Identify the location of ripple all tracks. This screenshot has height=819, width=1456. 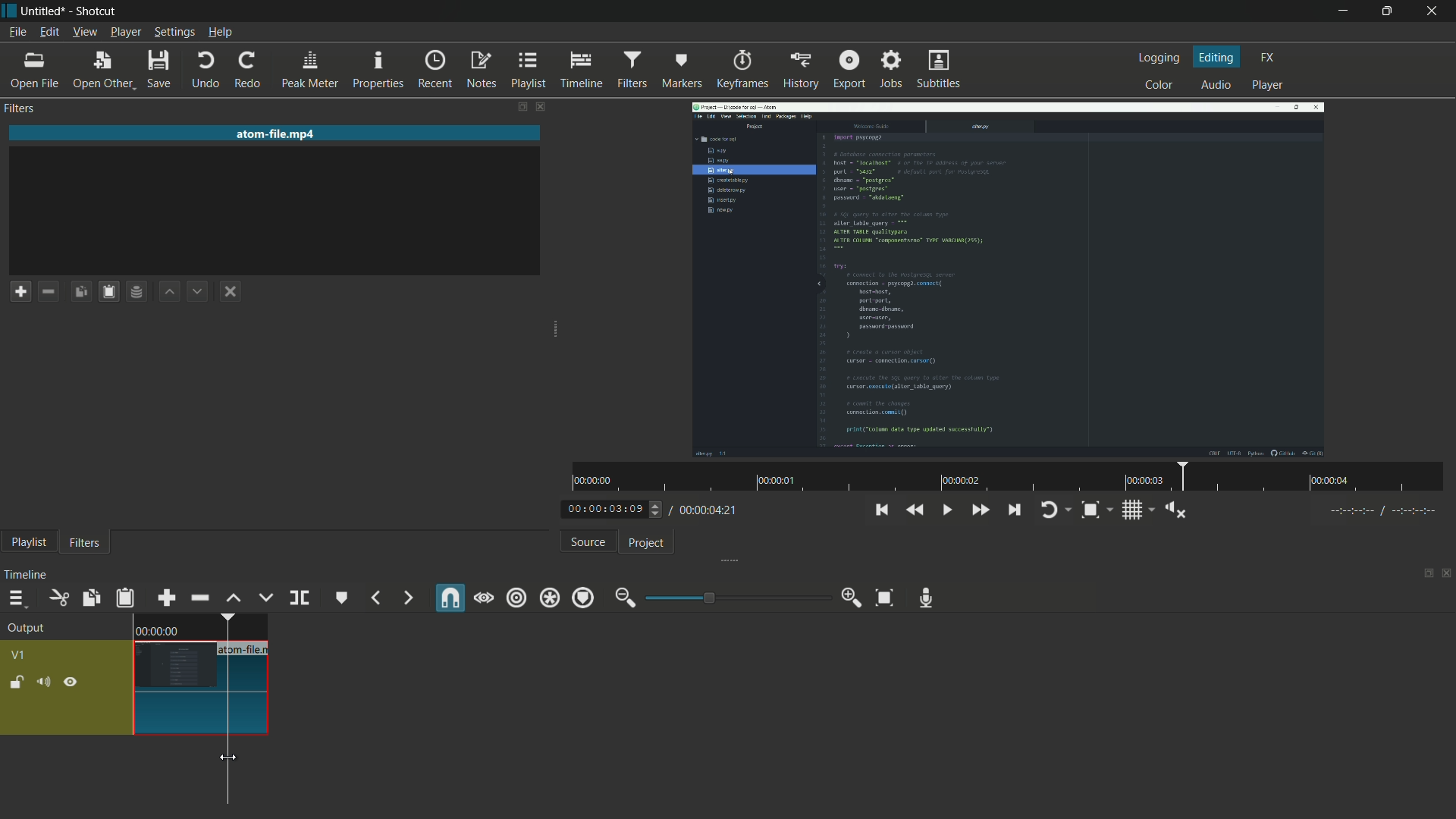
(549, 598).